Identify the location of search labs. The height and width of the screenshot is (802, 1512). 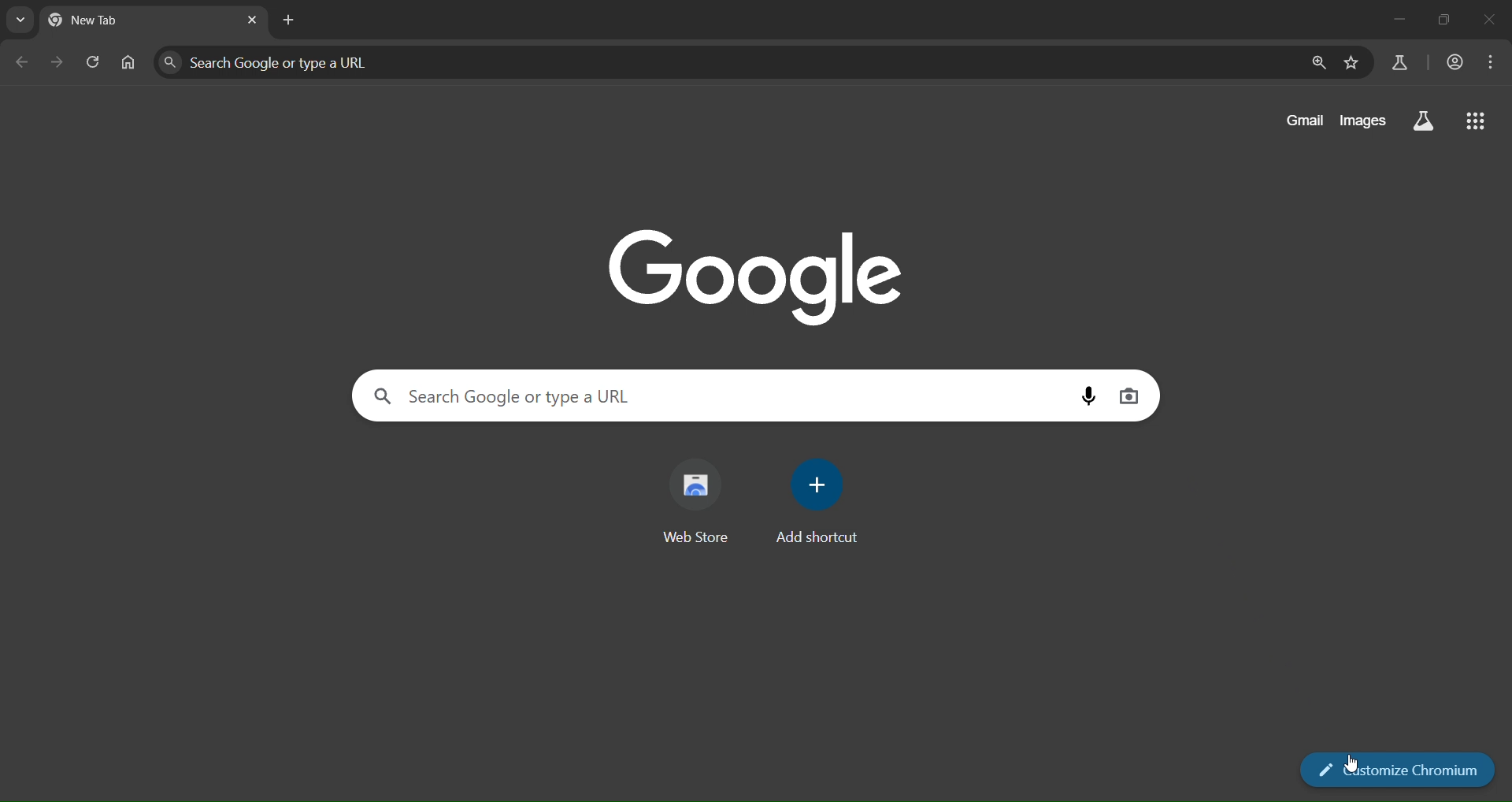
(1398, 63).